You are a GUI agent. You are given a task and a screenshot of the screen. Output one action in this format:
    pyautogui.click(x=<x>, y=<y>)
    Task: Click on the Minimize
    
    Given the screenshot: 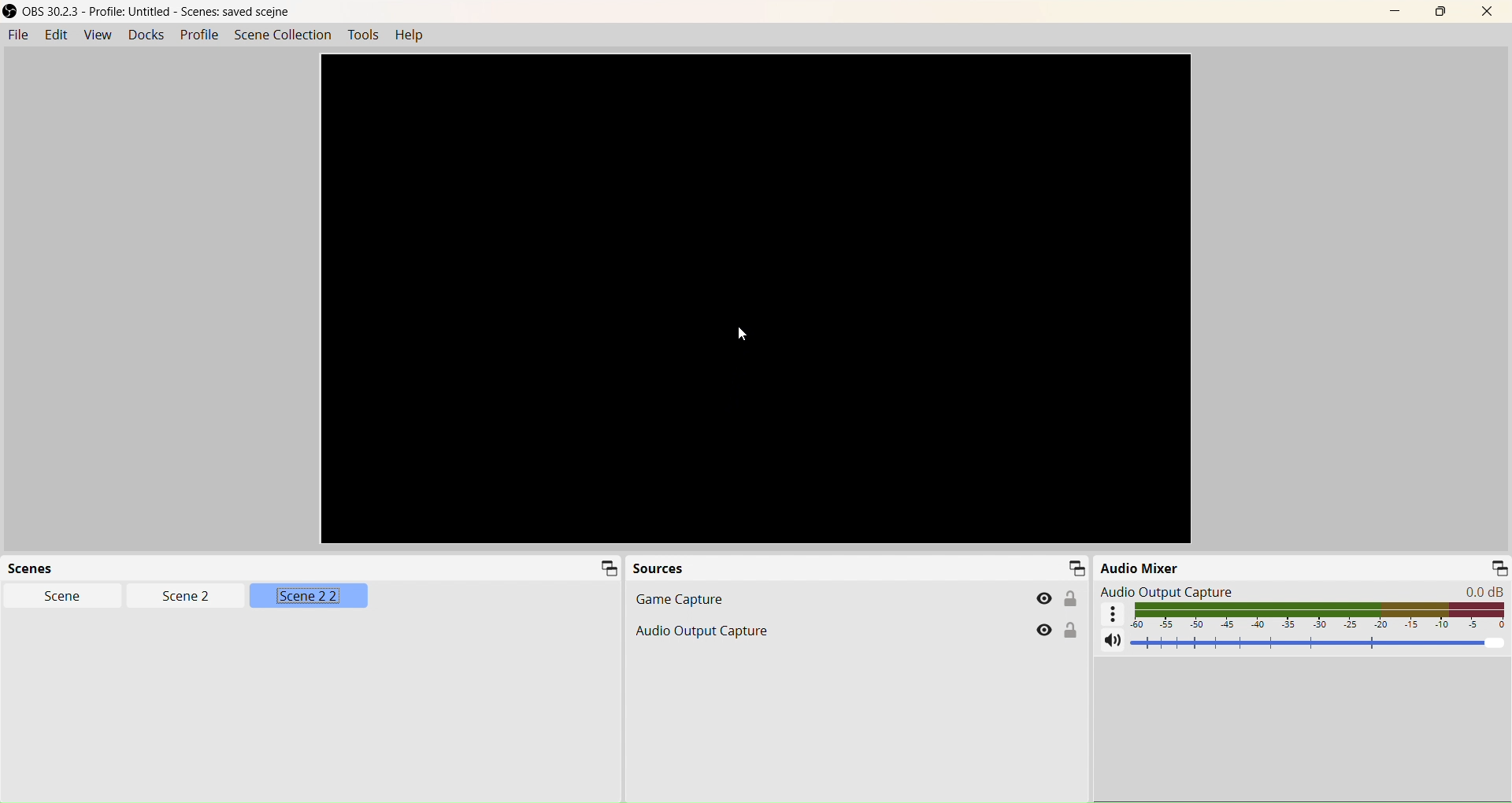 What is the action you would take?
    pyautogui.click(x=1395, y=12)
    